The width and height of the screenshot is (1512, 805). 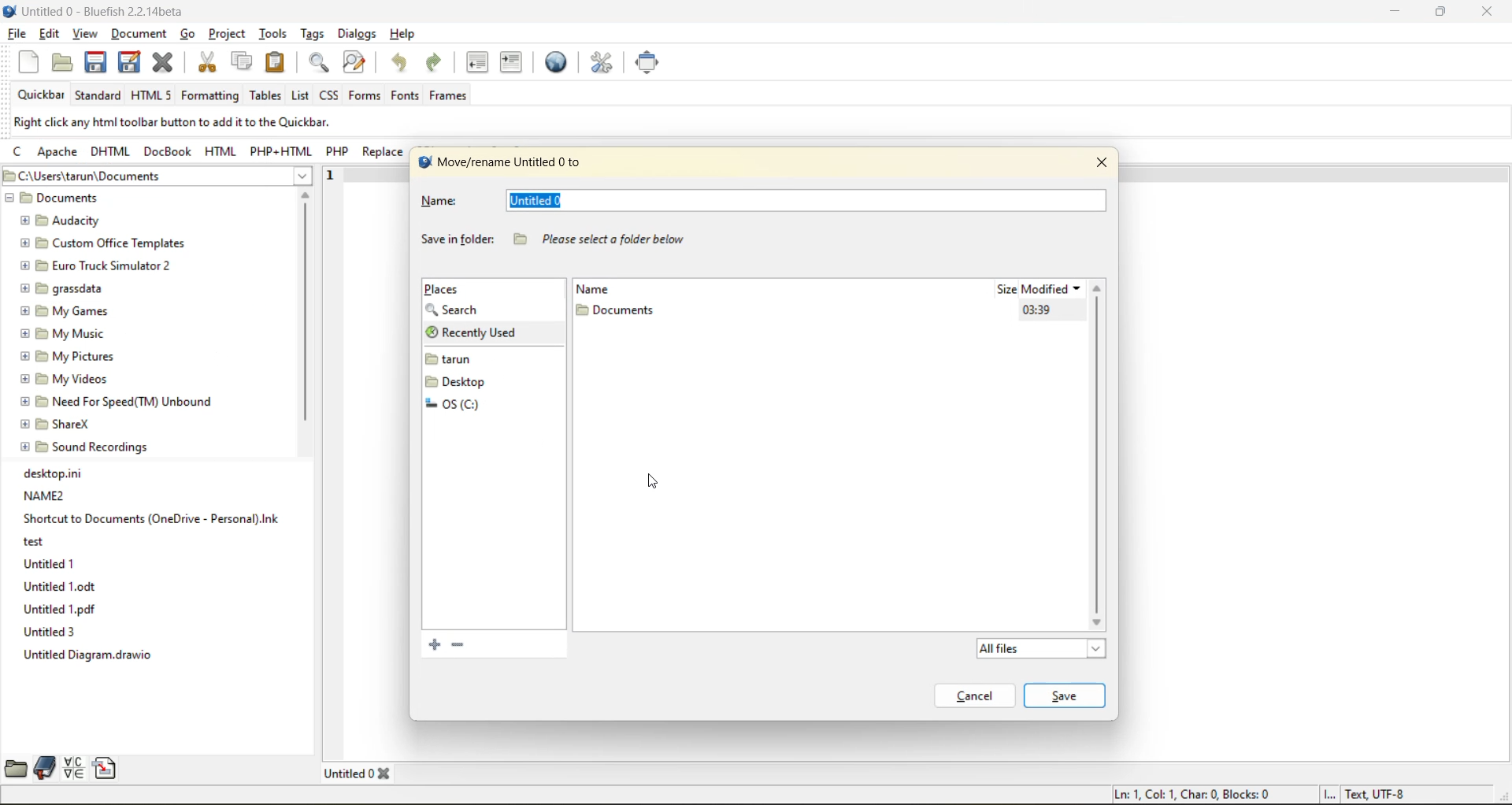 What do you see at coordinates (168, 62) in the screenshot?
I see `close file` at bounding box center [168, 62].